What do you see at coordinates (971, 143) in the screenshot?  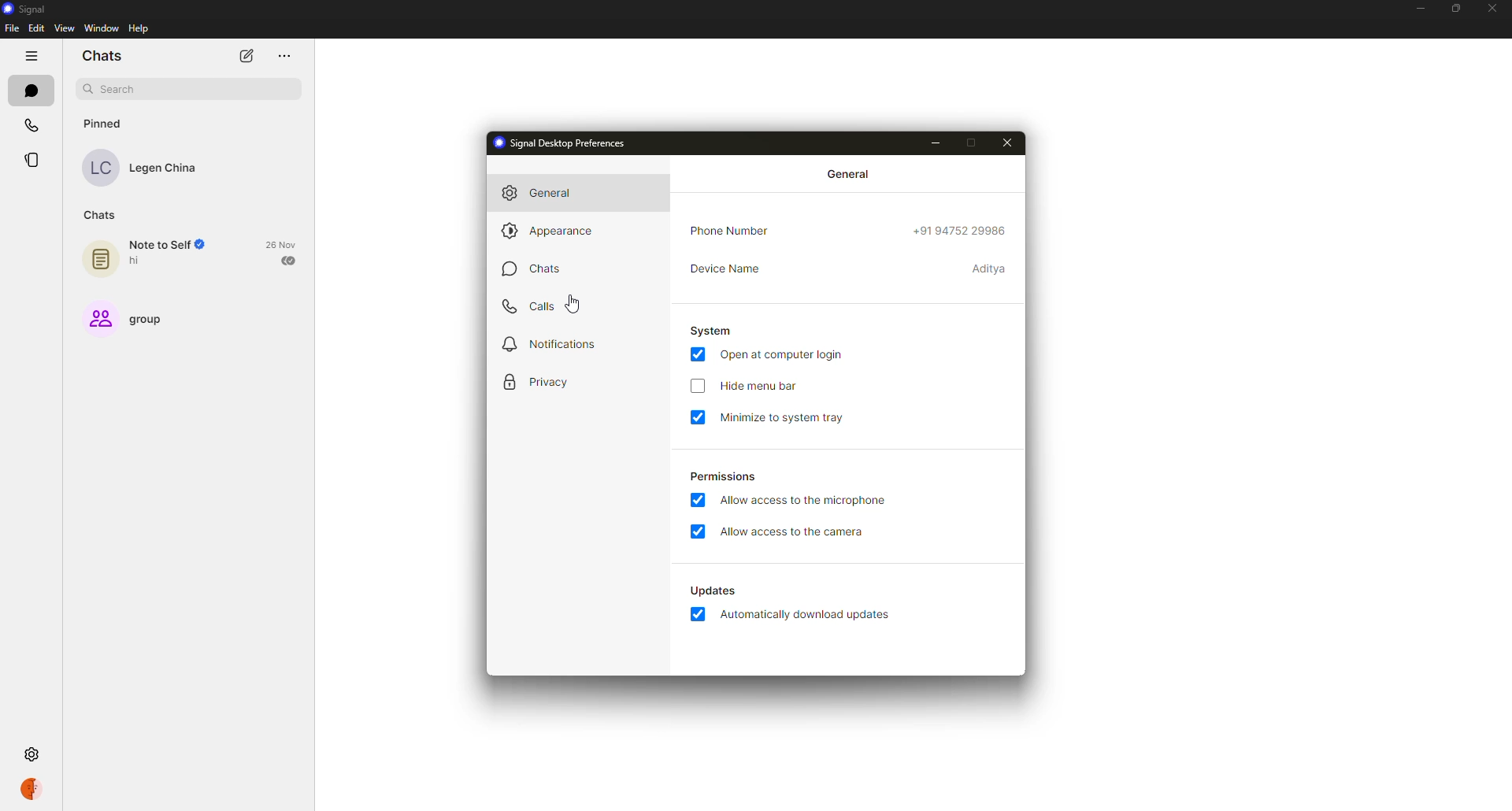 I see `maximize` at bounding box center [971, 143].